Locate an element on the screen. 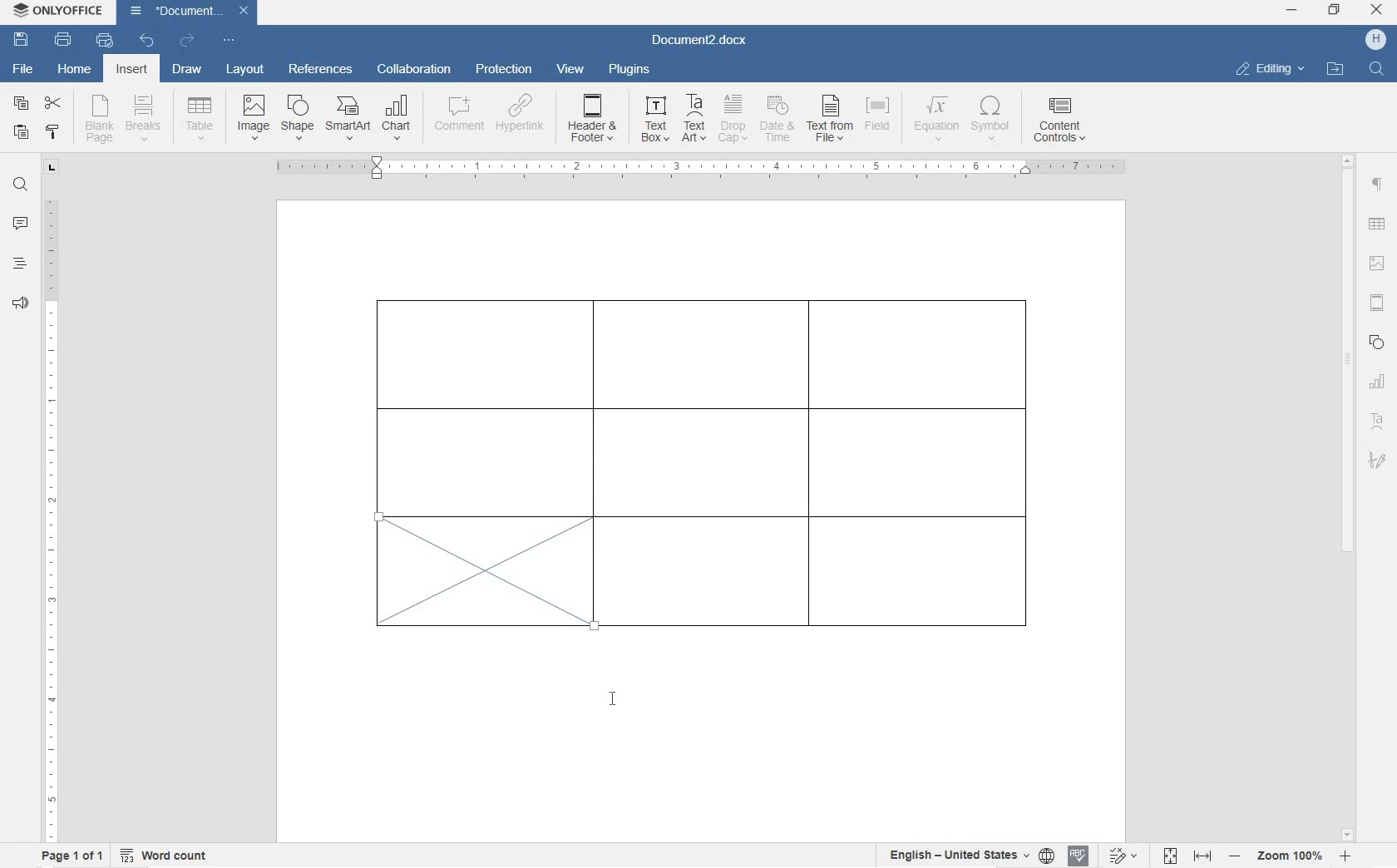 The height and width of the screenshot is (868, 1397). signature is located at coordinates (1376, 460).